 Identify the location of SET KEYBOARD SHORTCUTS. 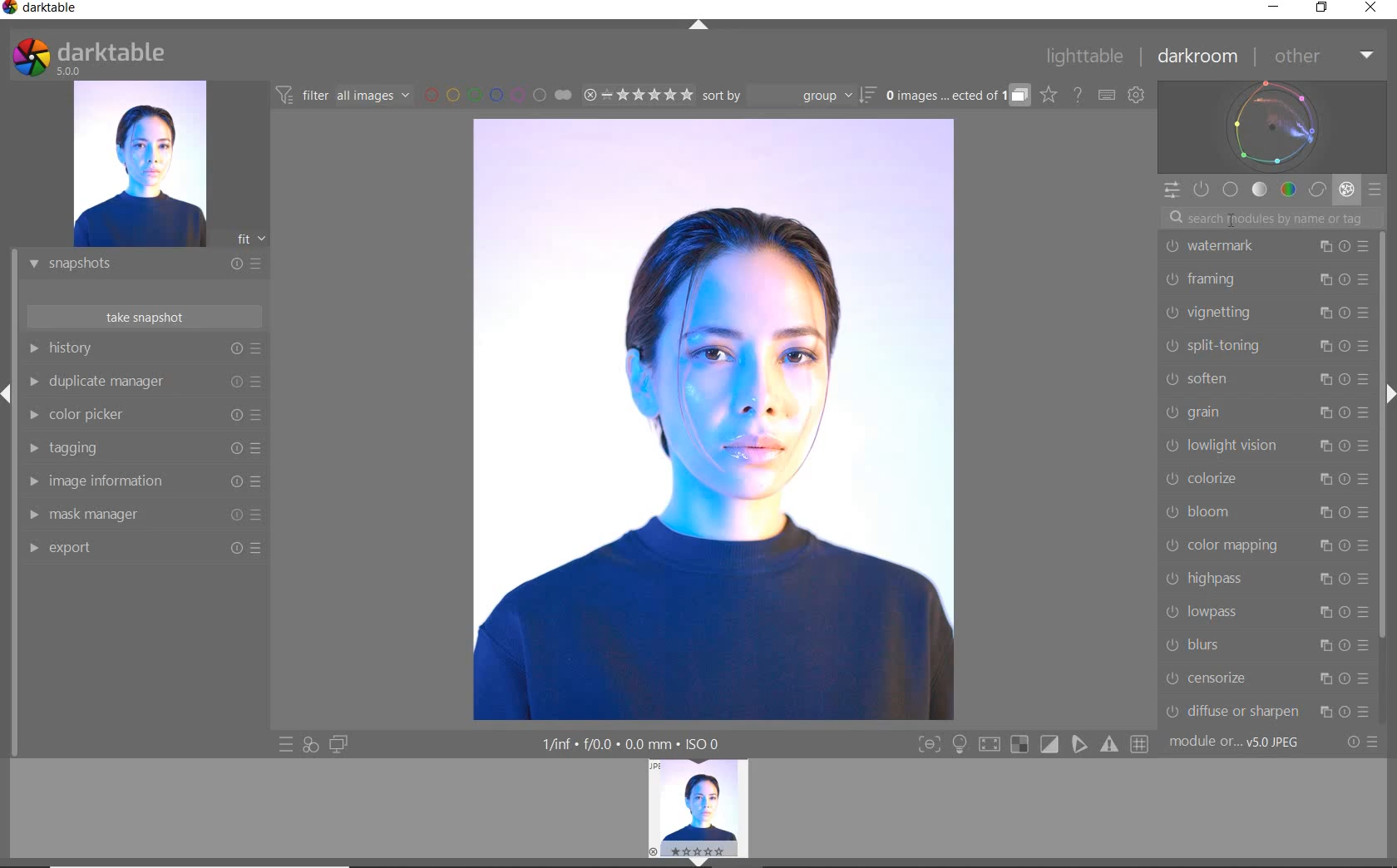
(1107, 95).